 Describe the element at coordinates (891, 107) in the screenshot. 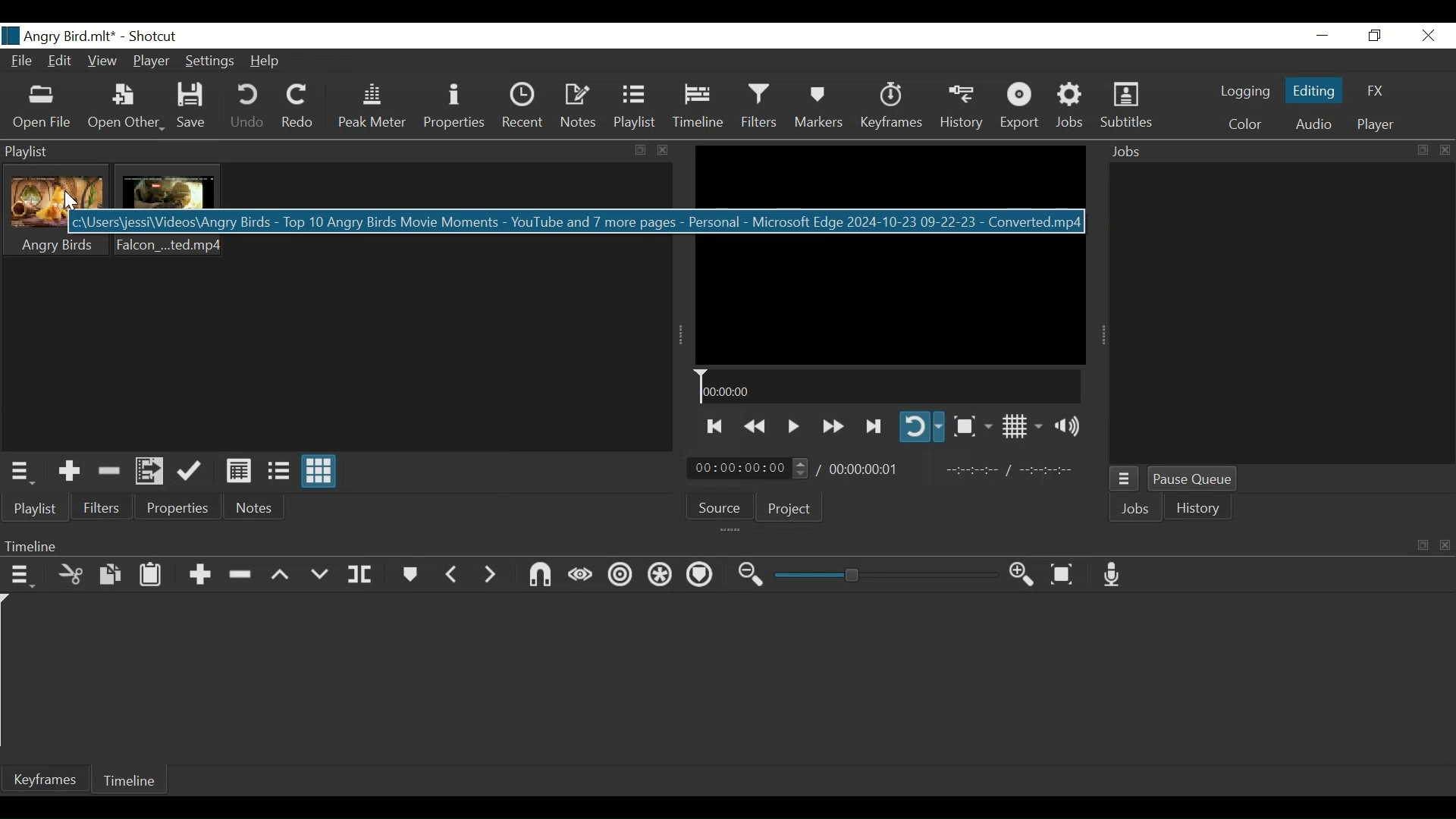

I see `Keyframes` at that location.